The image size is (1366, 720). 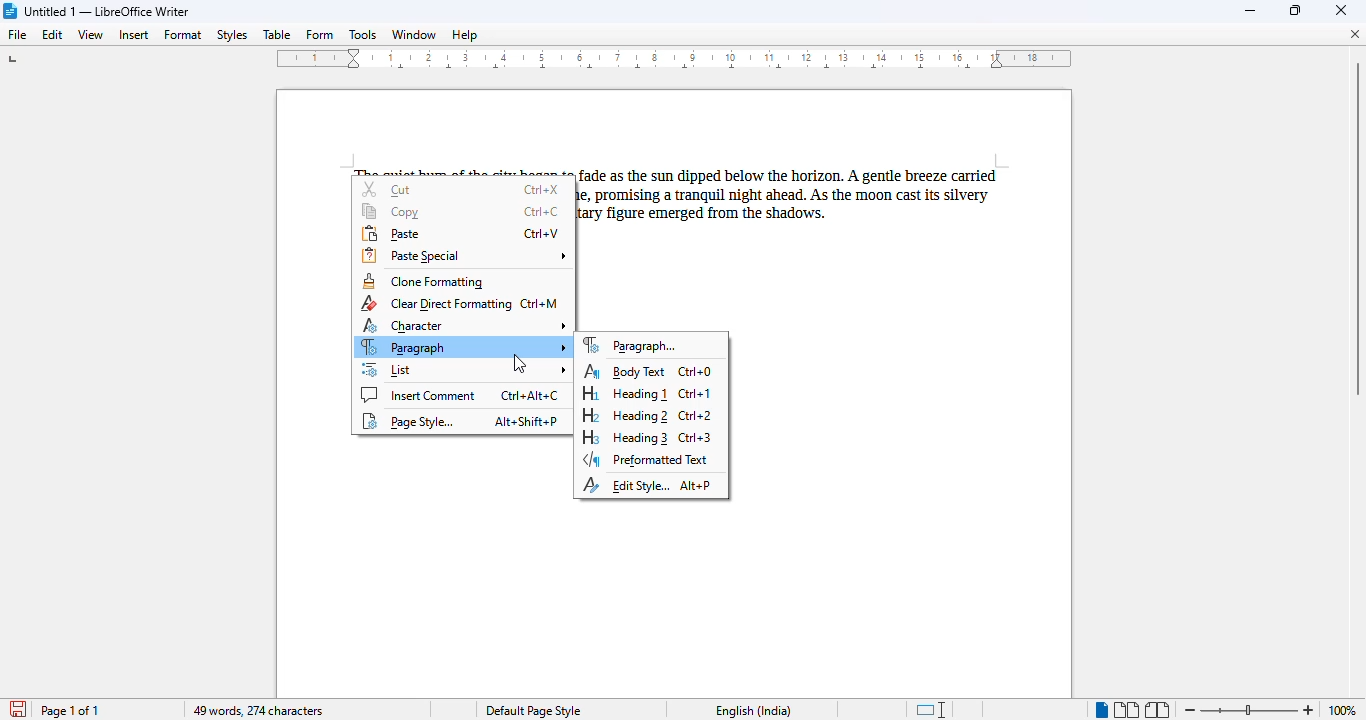 What do you see at coordinates (645, 459) in the screenshot?
I see `preformatted text` at bounding box center [645, 459].